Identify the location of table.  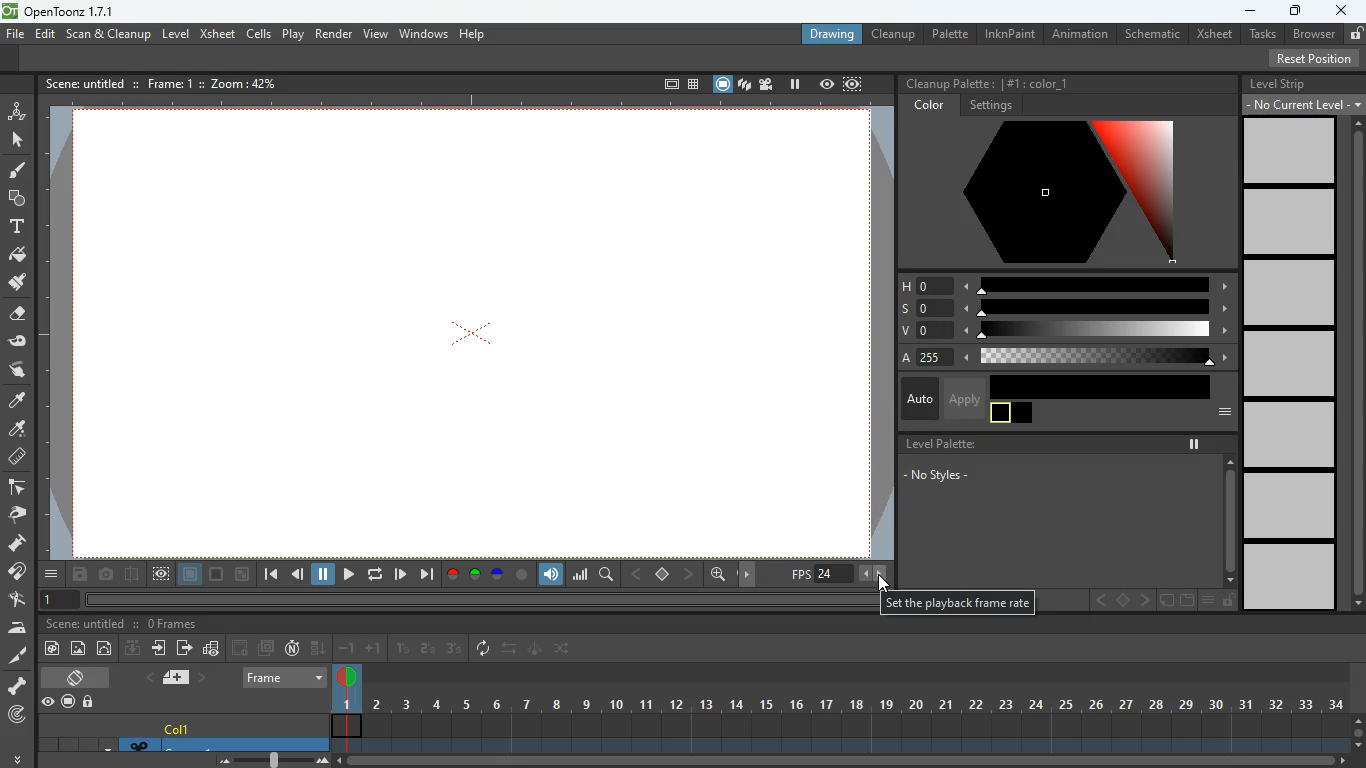
(693, 83).